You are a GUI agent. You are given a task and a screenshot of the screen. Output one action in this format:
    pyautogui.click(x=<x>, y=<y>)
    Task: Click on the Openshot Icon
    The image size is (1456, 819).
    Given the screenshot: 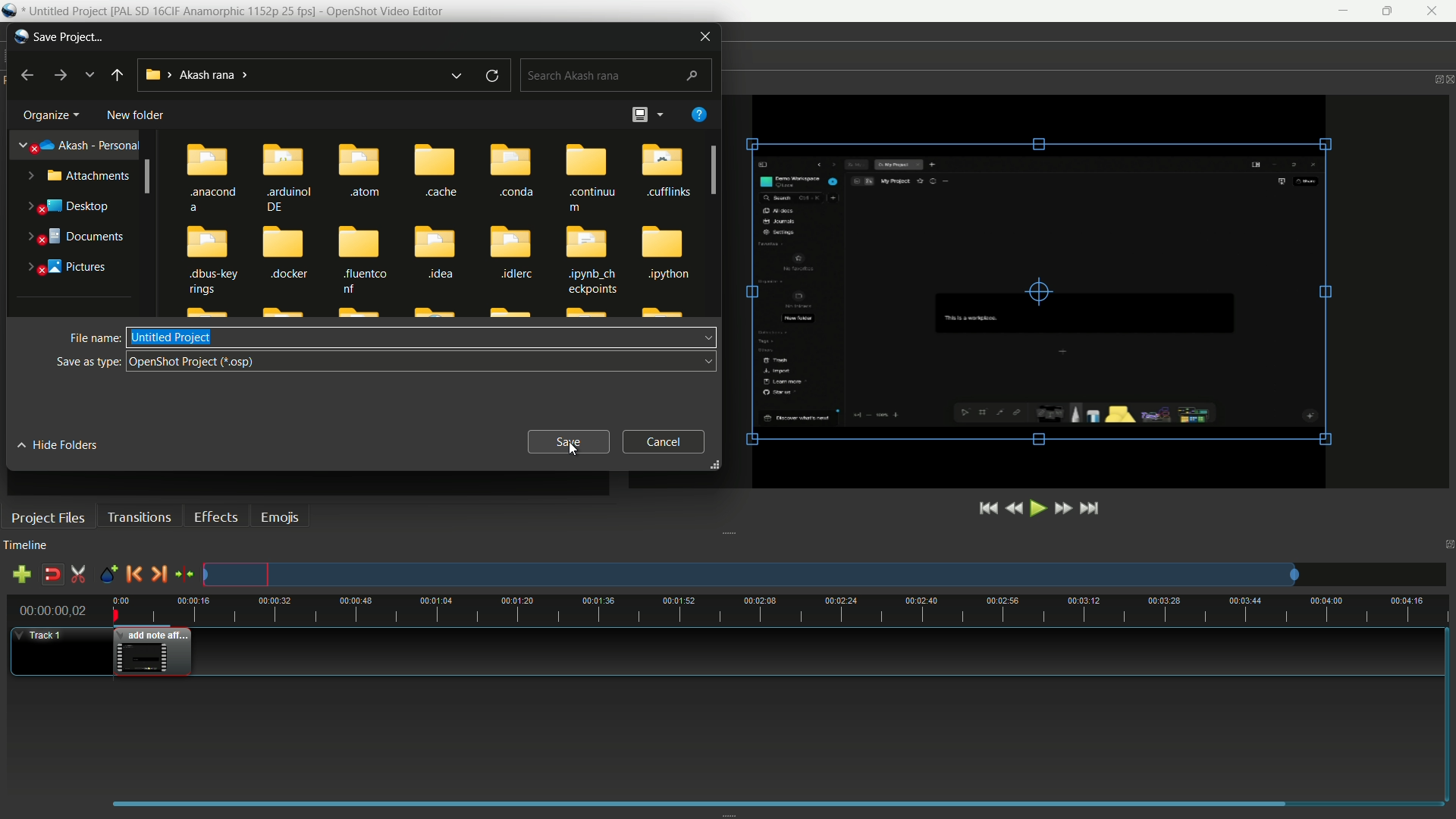 What is the action you would take?
    pyautogui.click(x=10, y=11)
    